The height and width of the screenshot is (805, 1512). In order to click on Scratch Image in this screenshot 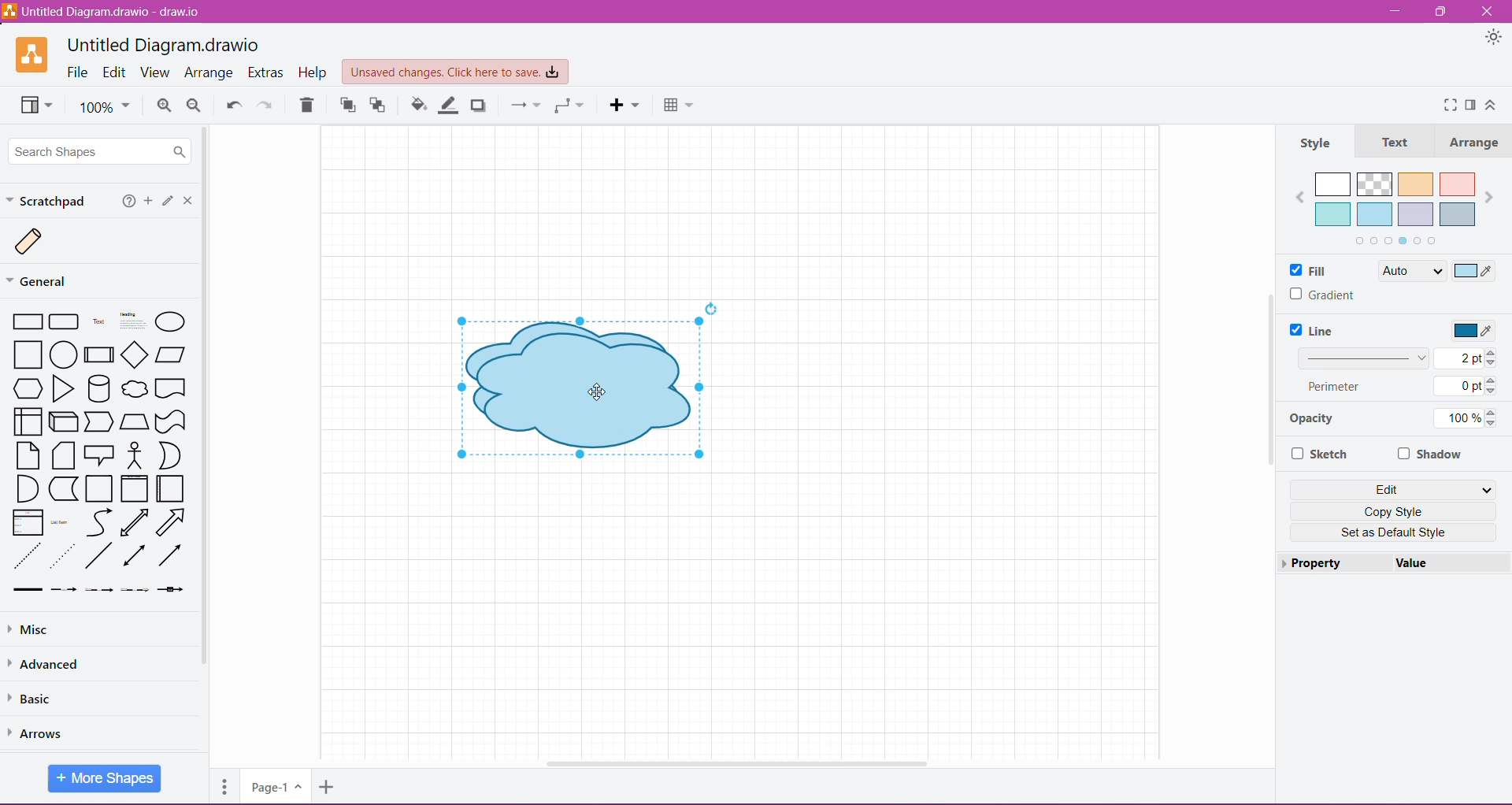, I will do `click(41, 243)`.